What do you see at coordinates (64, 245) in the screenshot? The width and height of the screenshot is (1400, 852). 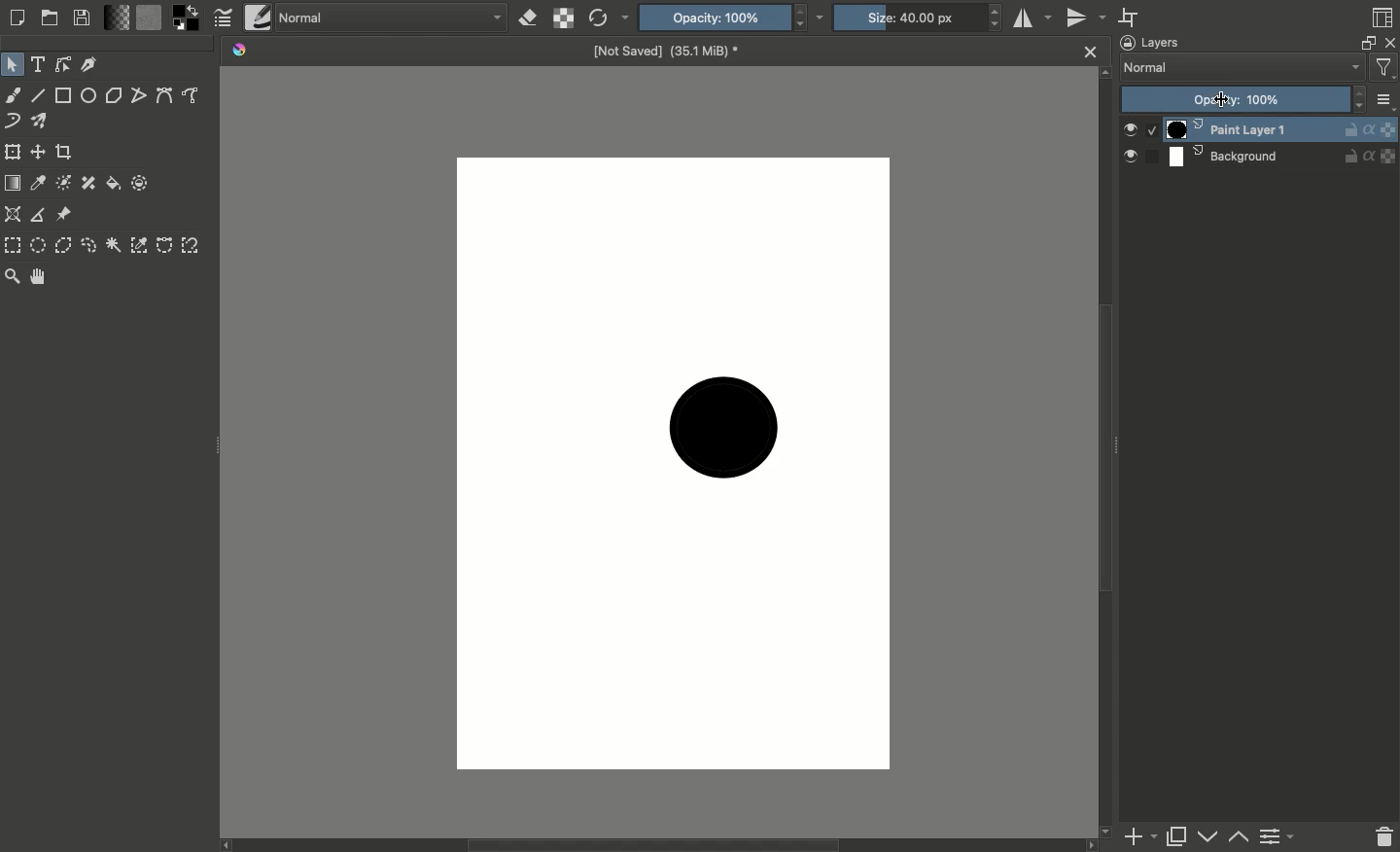 I see `Polygonal selection tool` at bounding box center [64, 245].